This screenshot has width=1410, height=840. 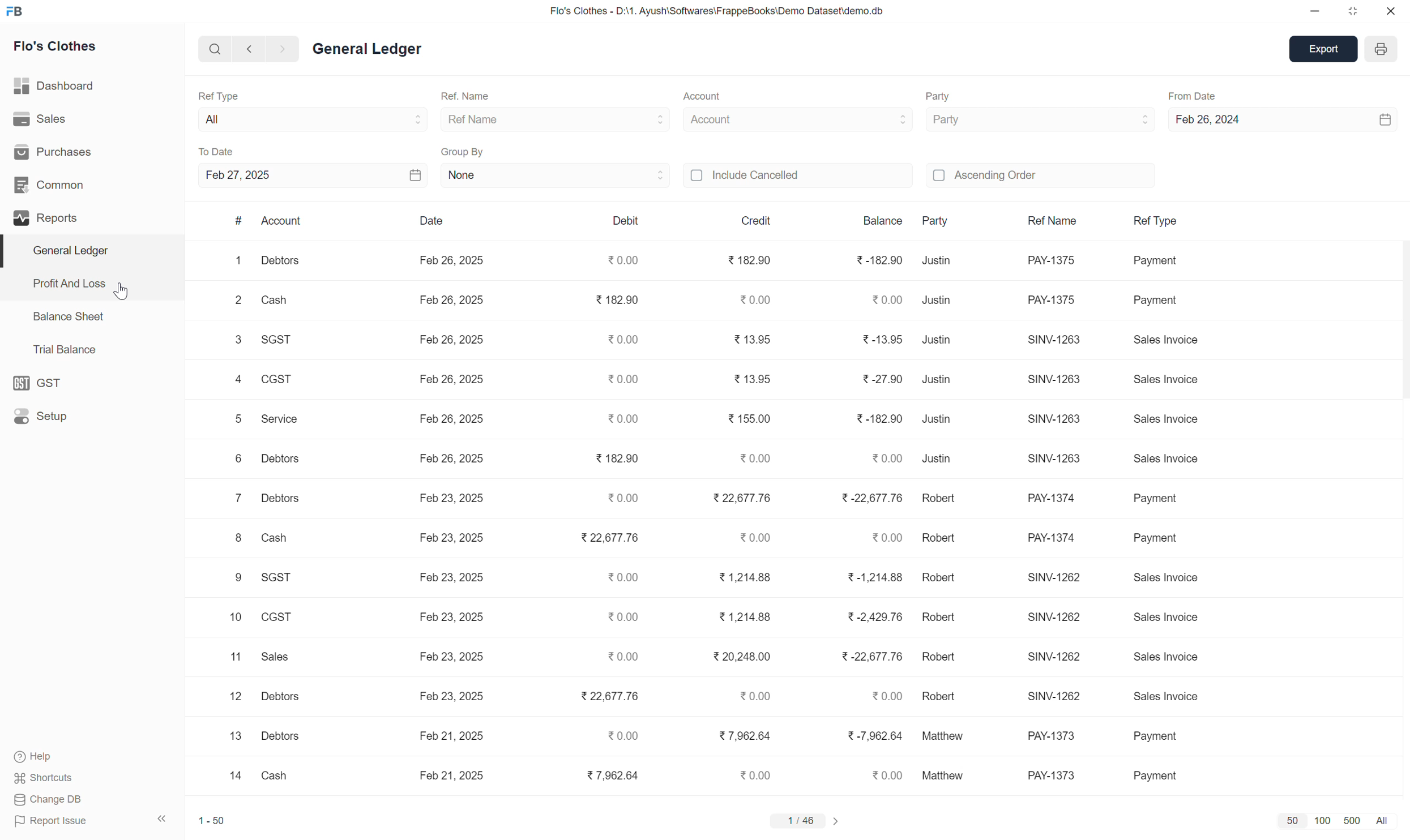 I want to click on ₹0.00, so click(x=884, y=298).